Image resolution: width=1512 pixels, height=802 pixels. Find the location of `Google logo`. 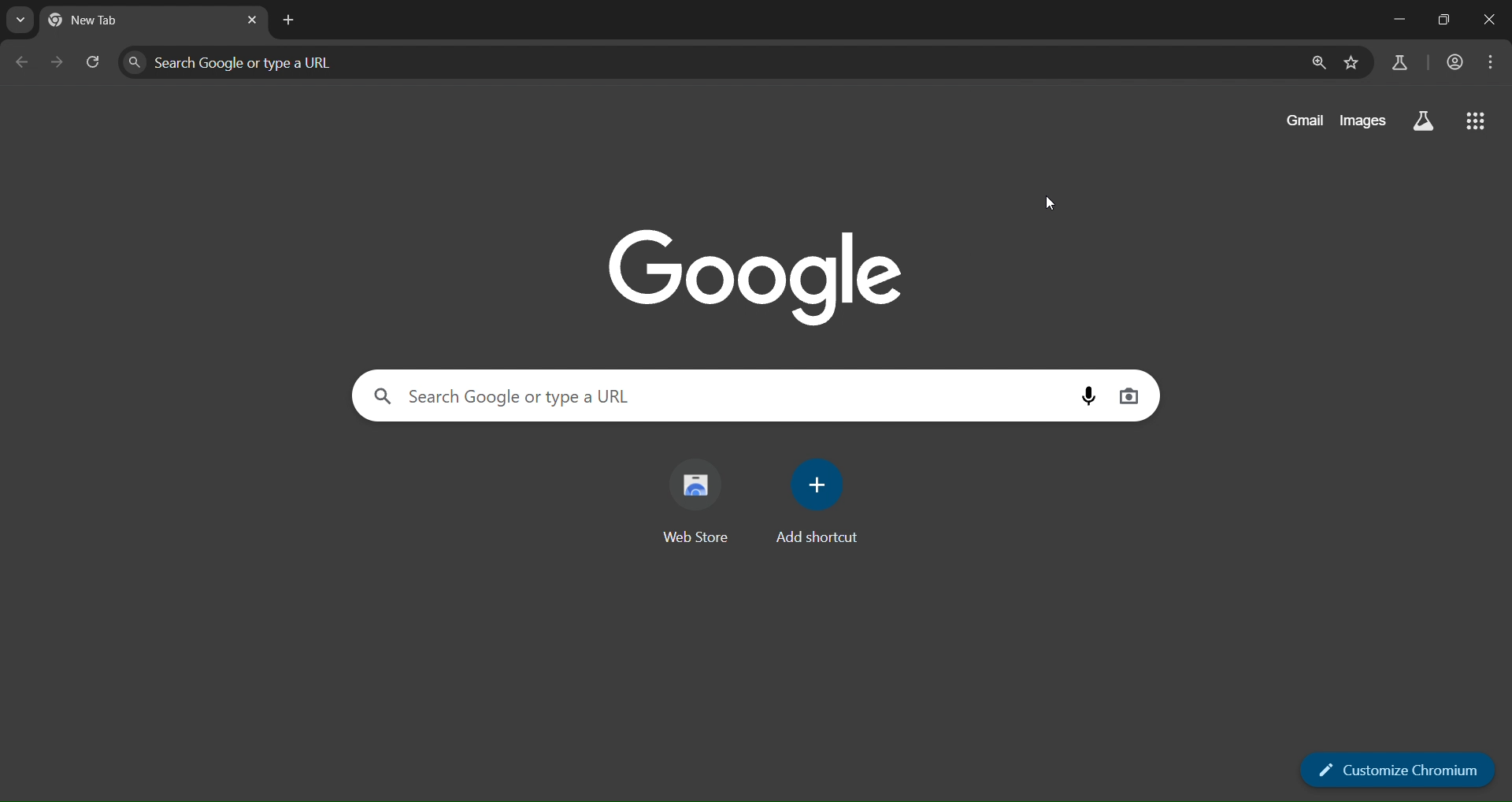

Google logo is located at coordinates (747, 273).